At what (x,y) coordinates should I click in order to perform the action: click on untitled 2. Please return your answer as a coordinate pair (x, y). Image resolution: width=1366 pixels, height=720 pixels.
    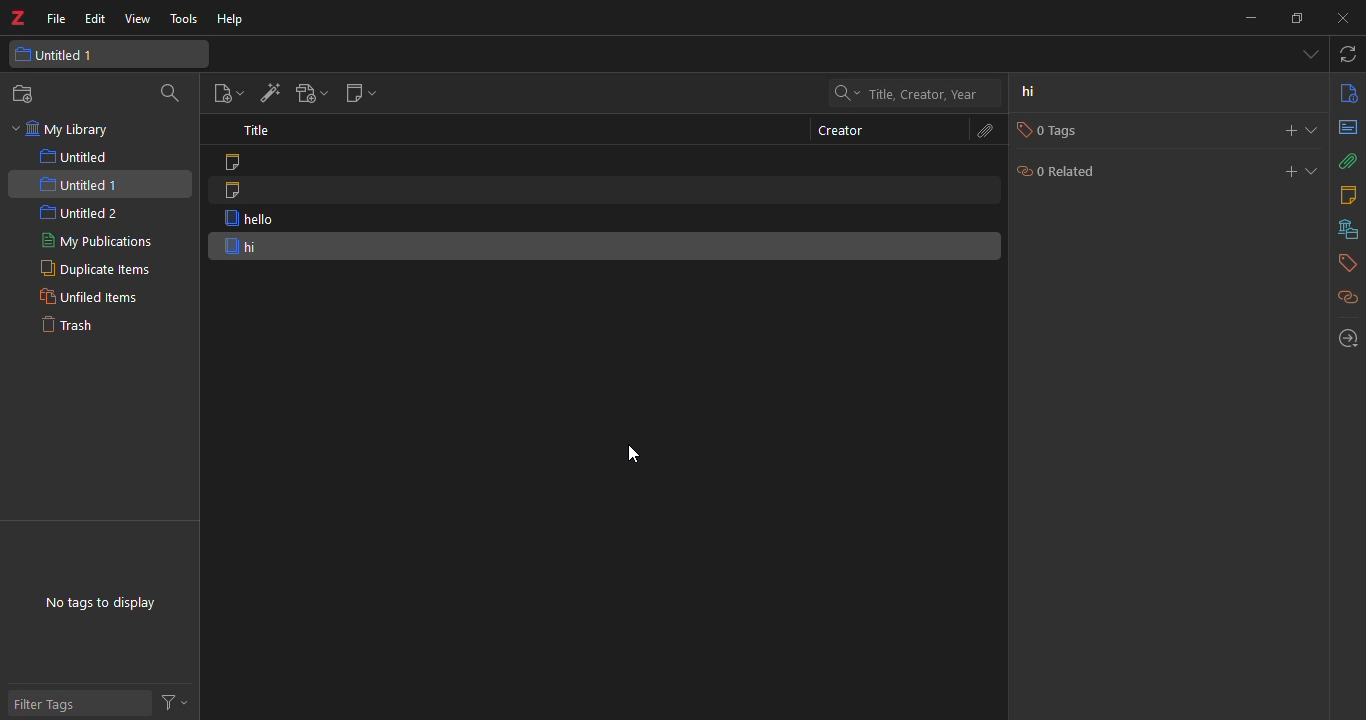
    Looking at the image, I should click on (80, 212).